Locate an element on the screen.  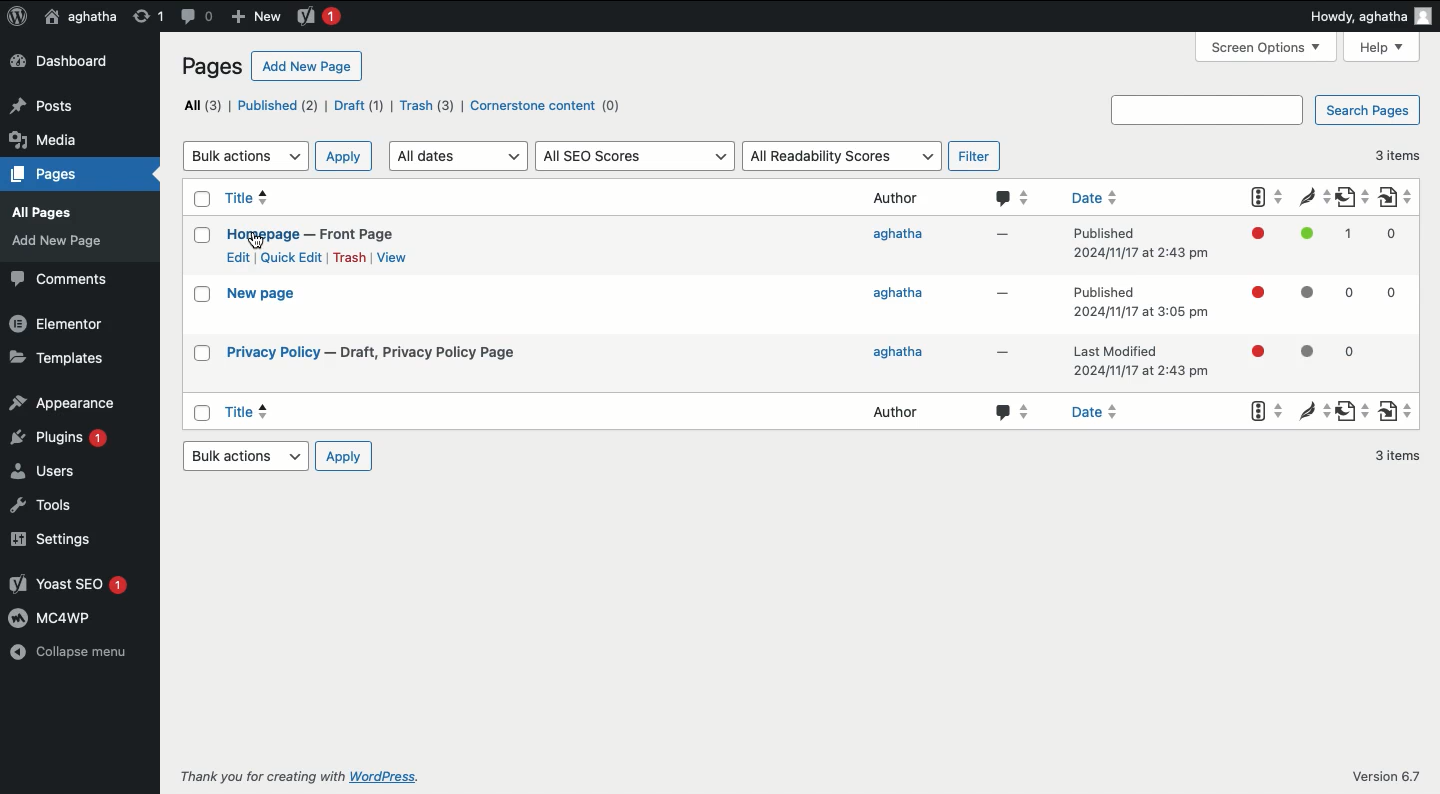
Date is located at coordinates (1141, 303).